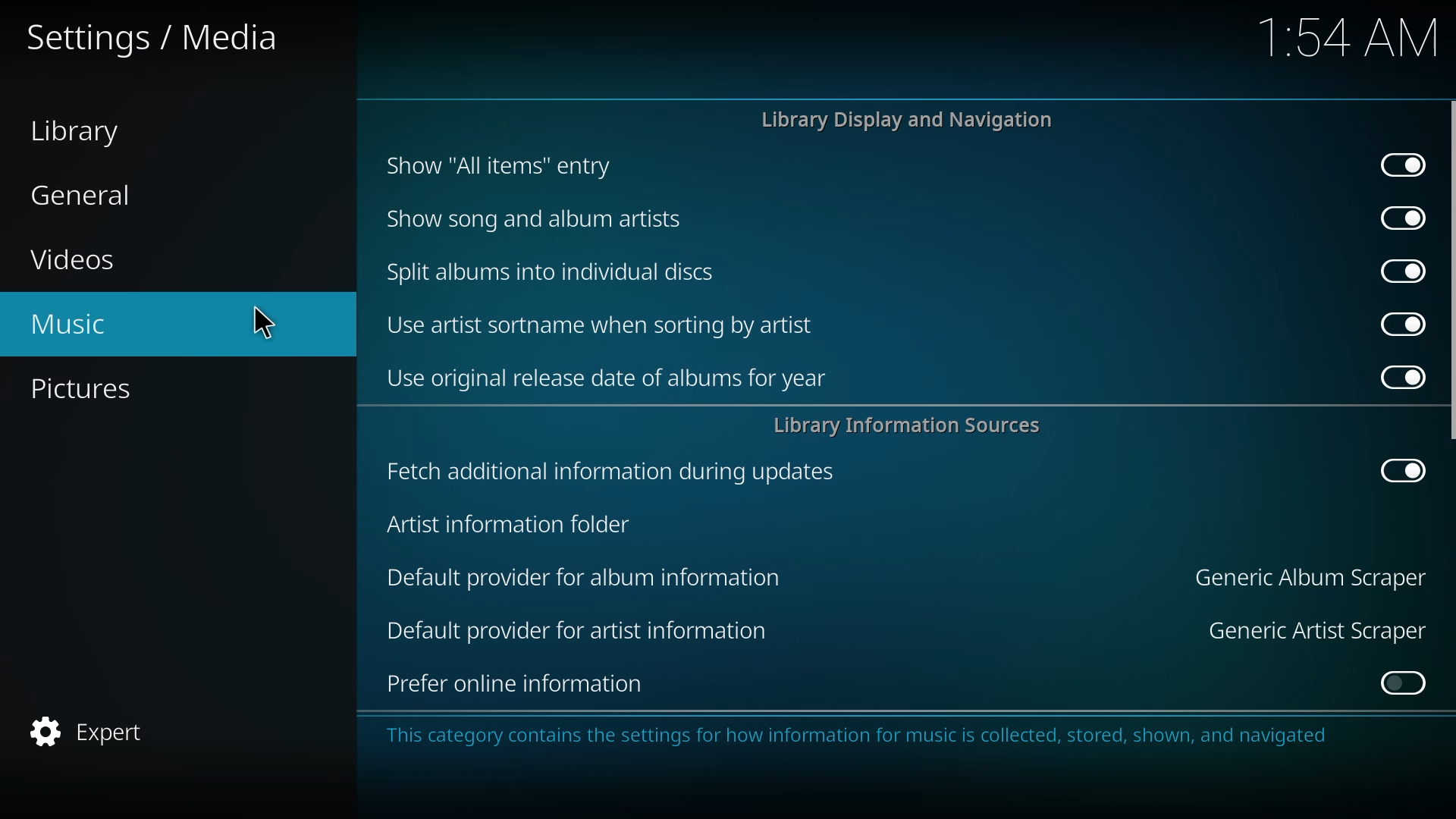  I want to click on show all items entry, so click(496, 165).